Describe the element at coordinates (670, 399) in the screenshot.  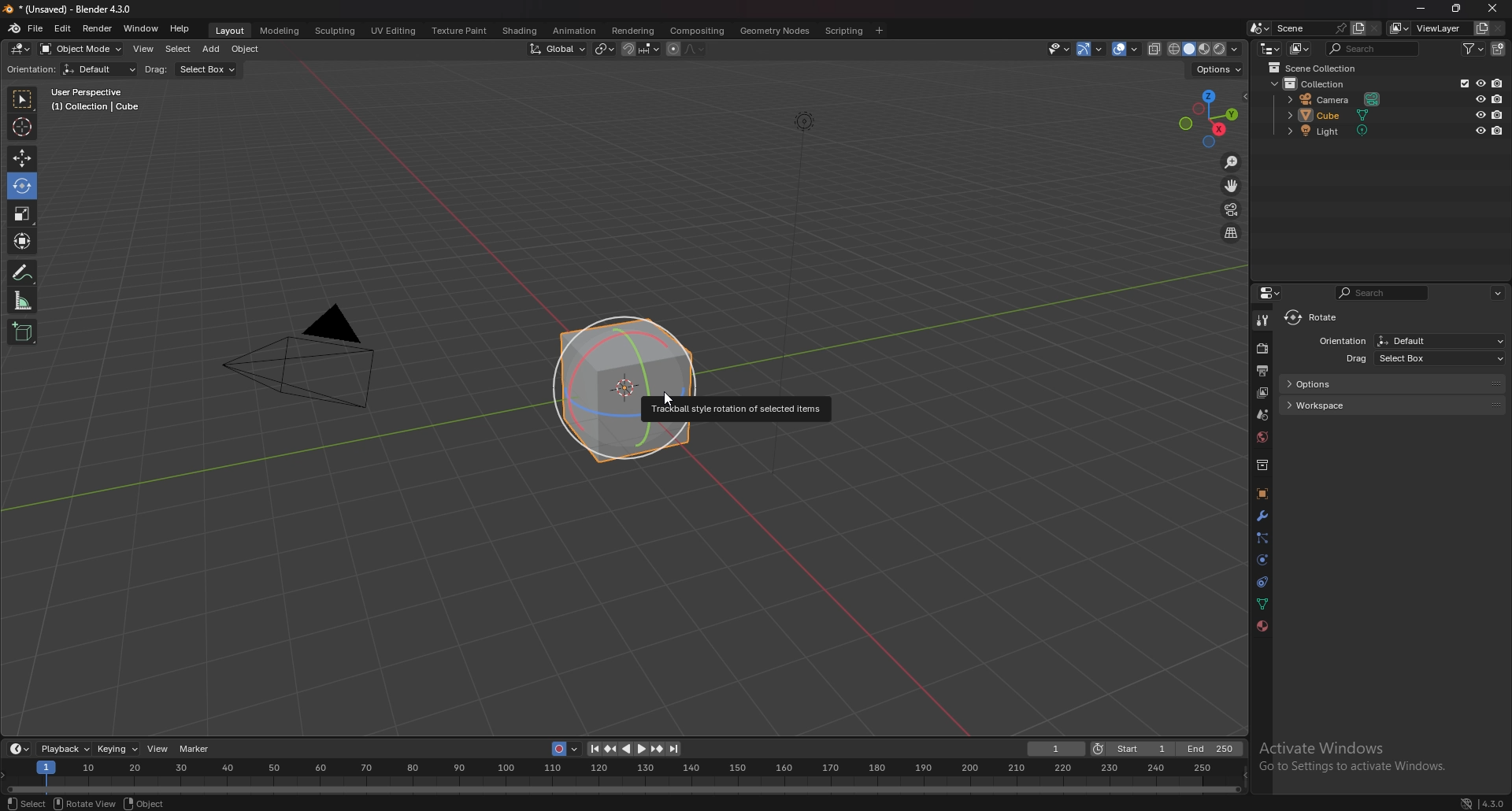
I see `cursor` at that location.